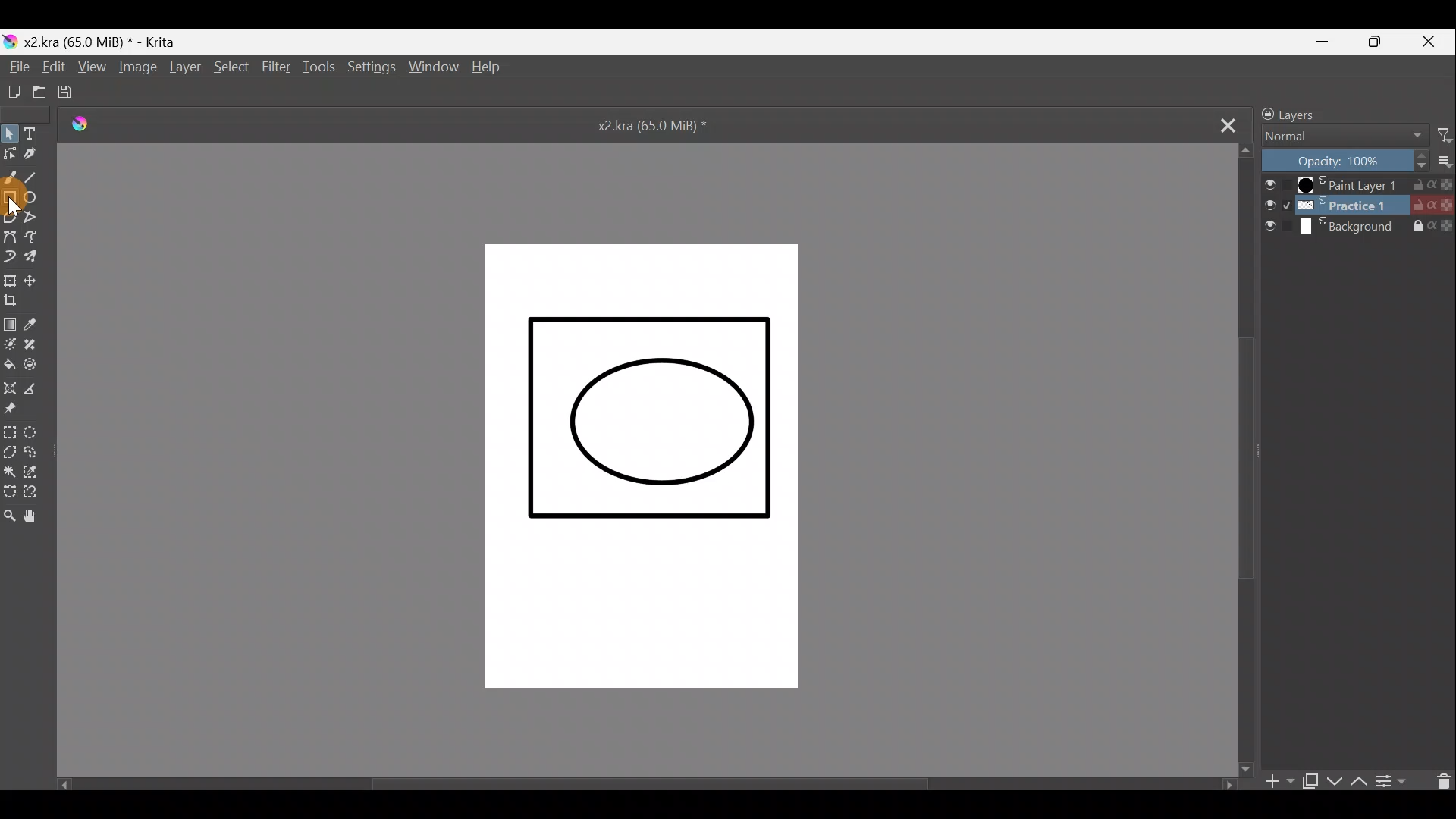 This screenshot has height=819, width=1456. I want to click on Line tool, so click(39, 180).